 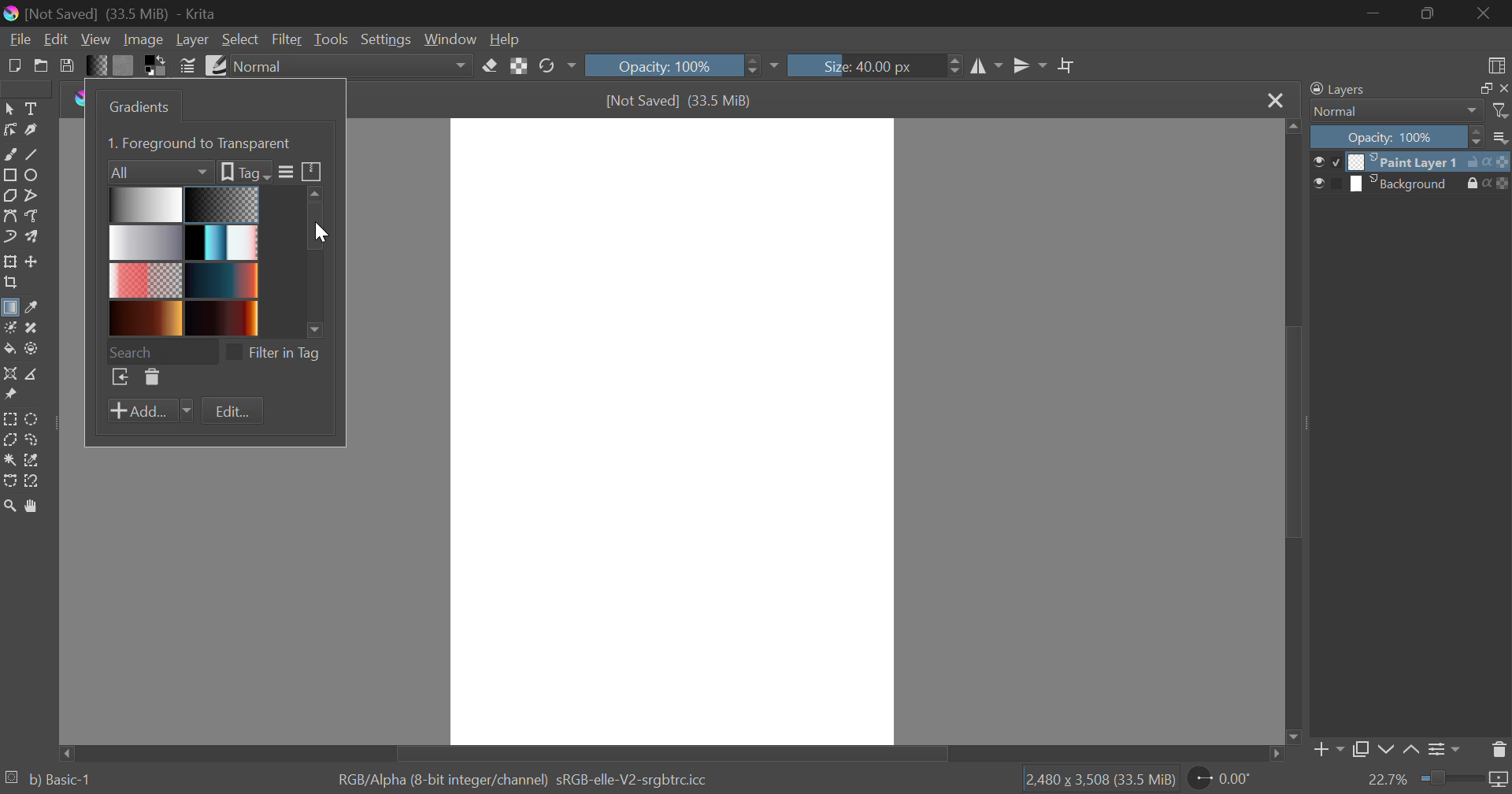 I want to click on Background, so click(x=1405, y=184).